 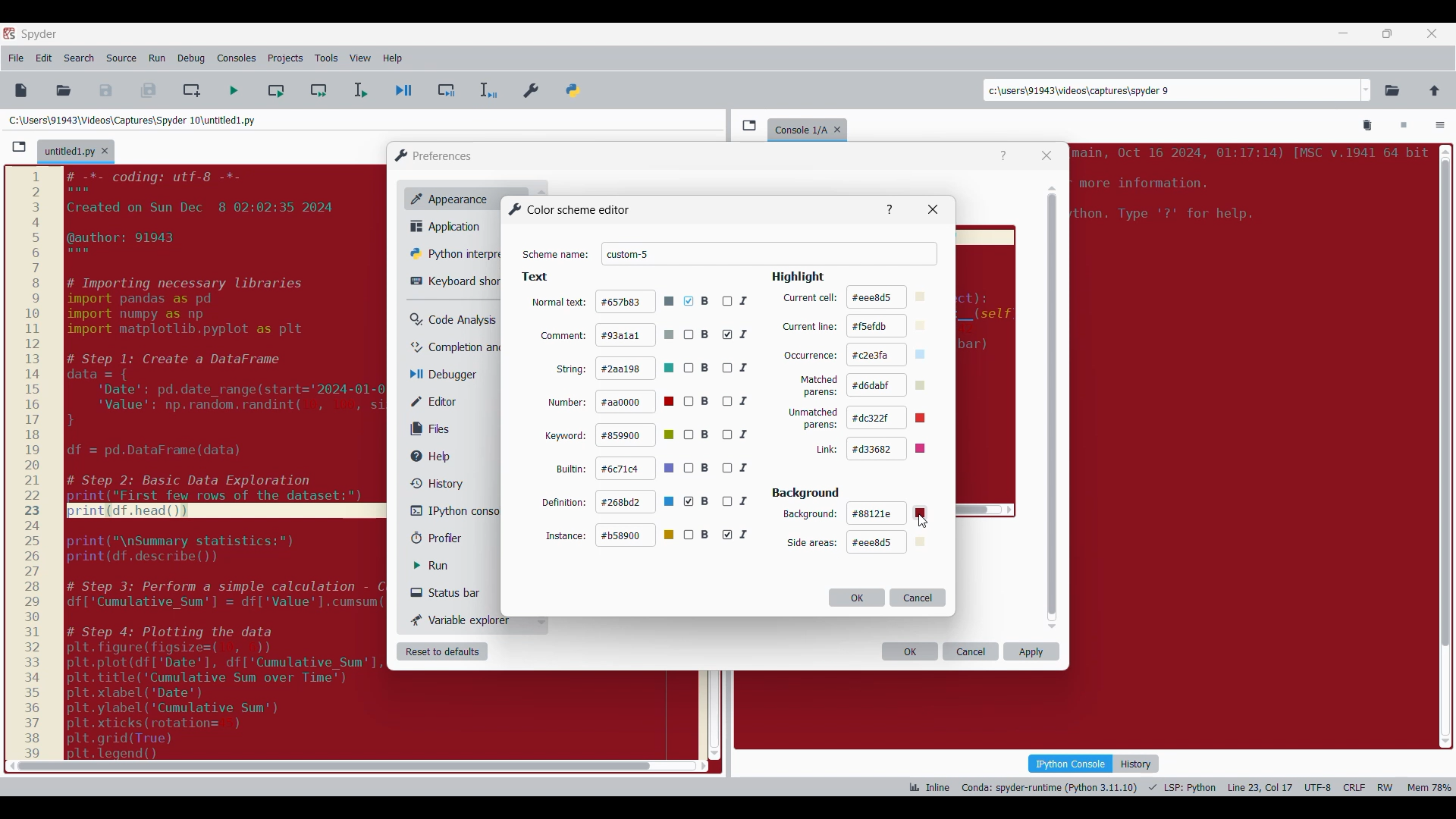 I want to click on Consoles menu, so click(x=237, y=58).